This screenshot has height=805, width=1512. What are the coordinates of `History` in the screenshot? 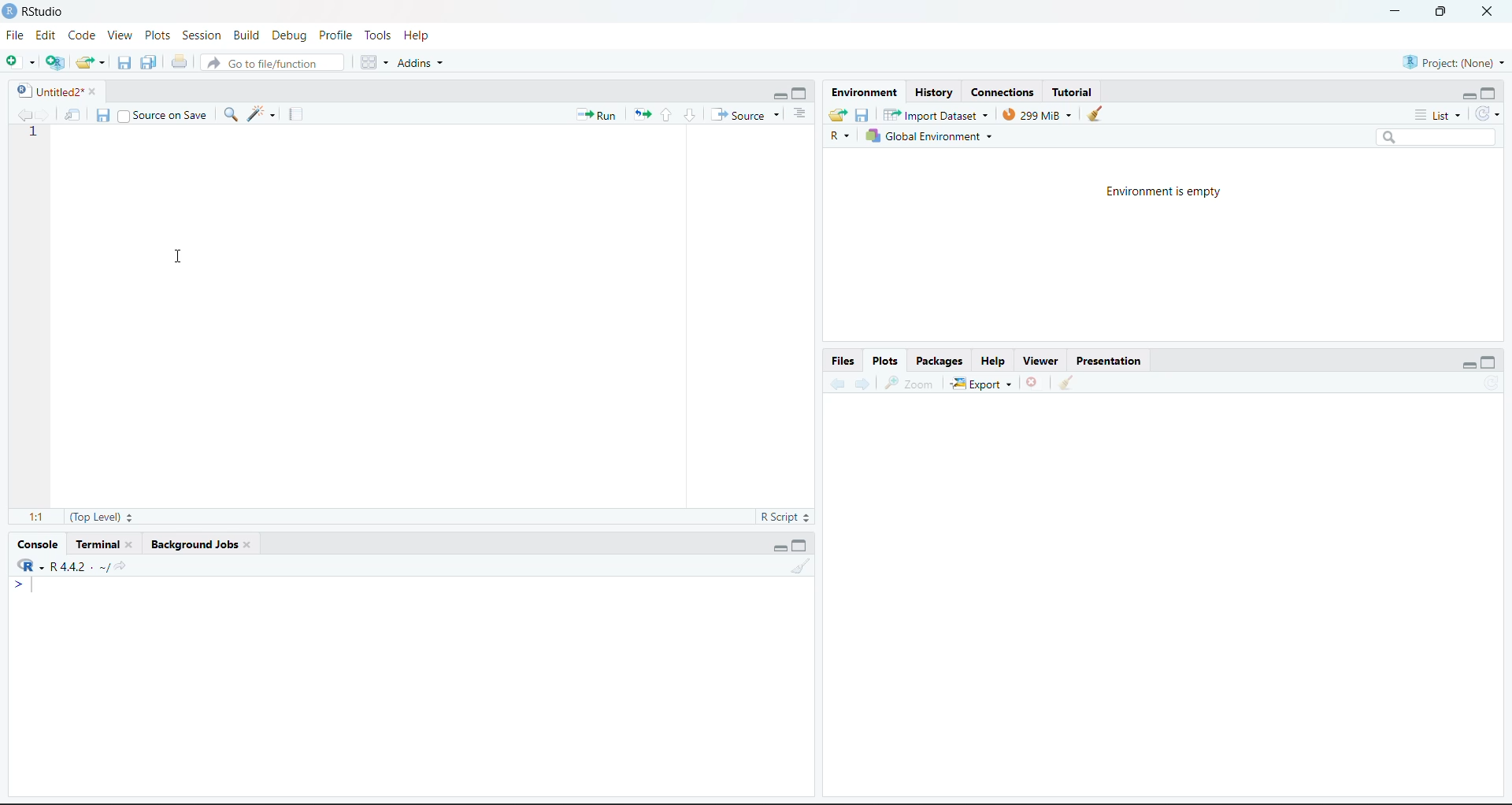 It's located at (935, 92).